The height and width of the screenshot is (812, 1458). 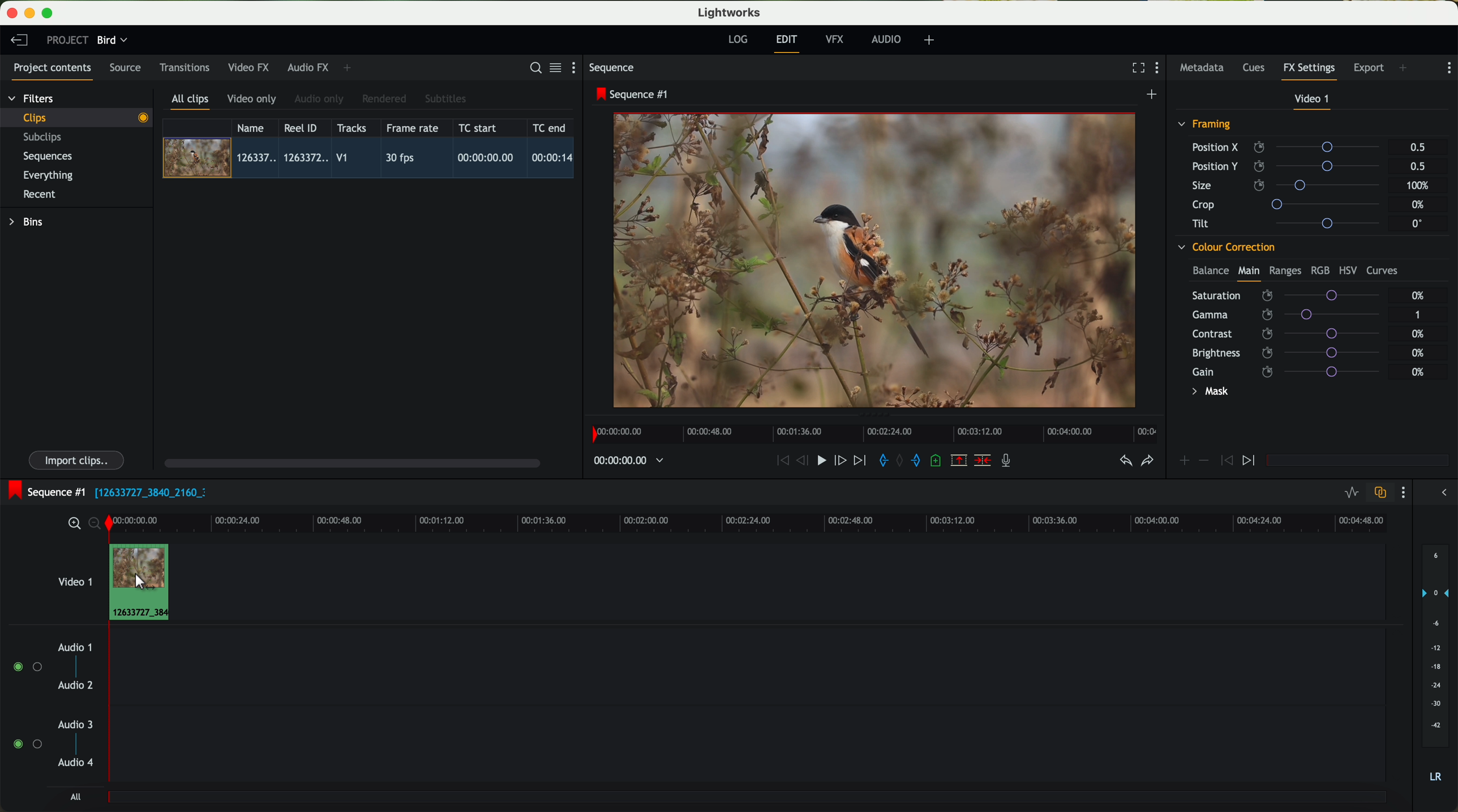 I want to click on toggle auto track sync, so click(x=1378, y=493).